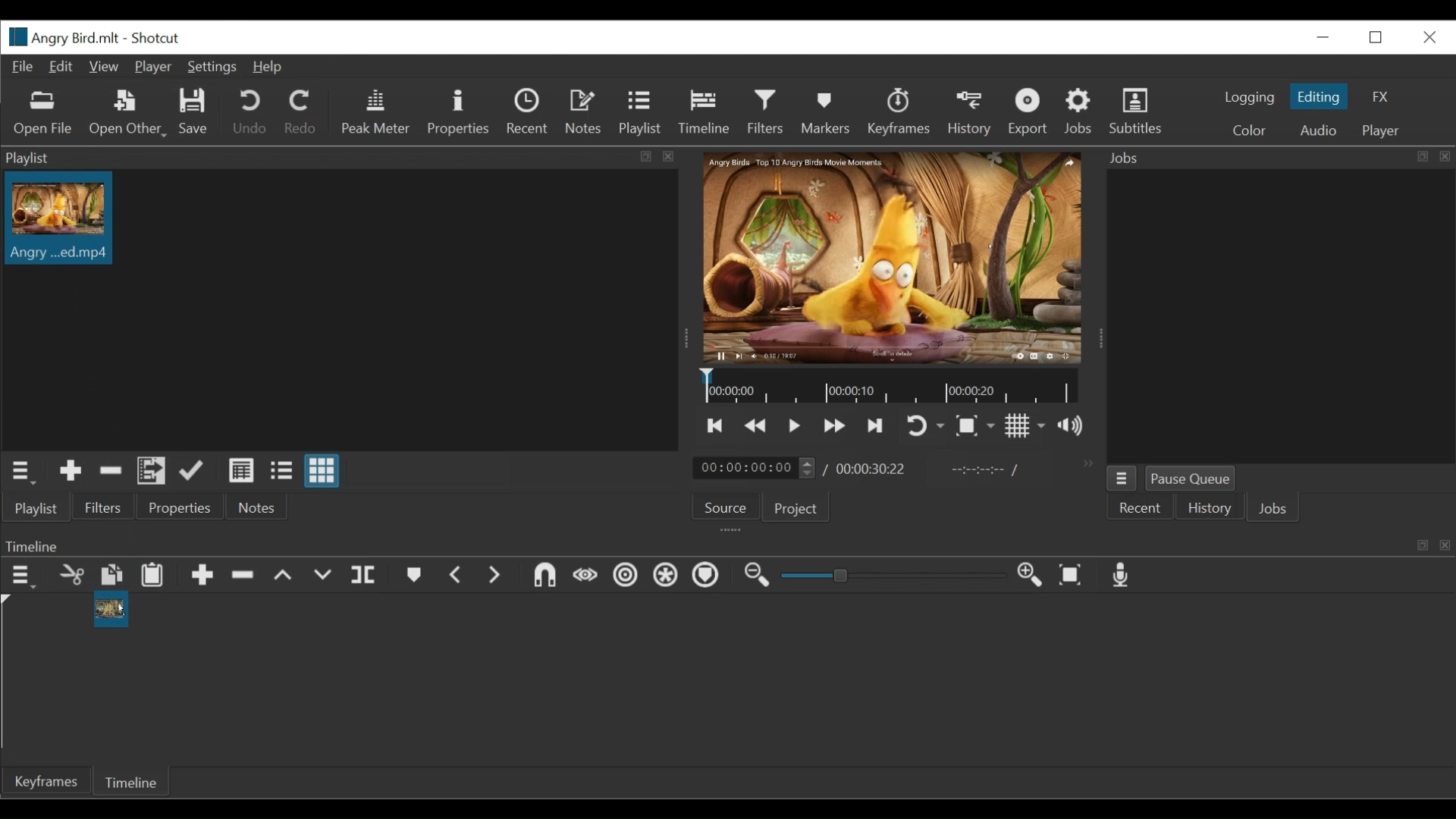 This screenshot has width=1456, height=819. Describe the element at coordinates (322, 577) in the screenshot. I see `overwrite` at that location.